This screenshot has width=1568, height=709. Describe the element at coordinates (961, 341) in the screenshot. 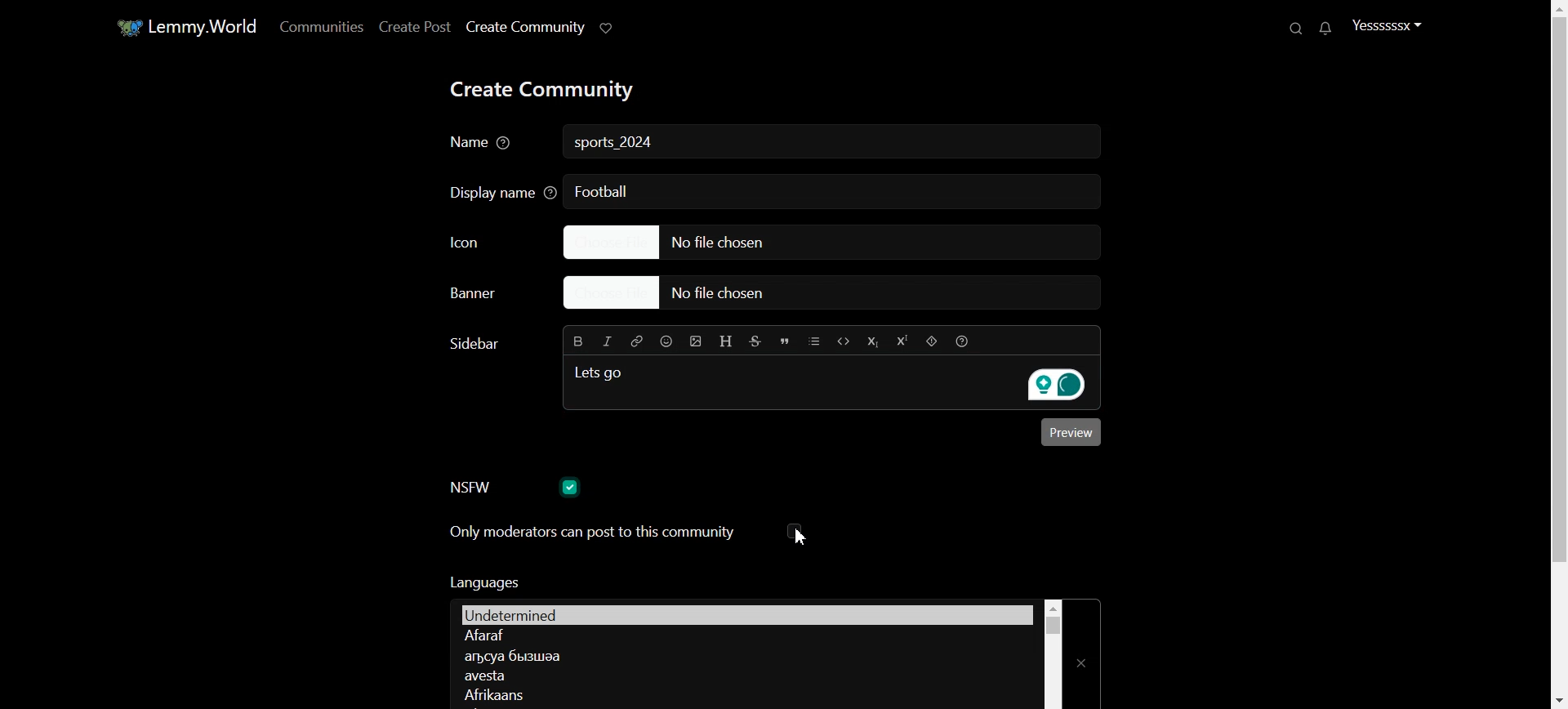

I see `Formatting Help` at that location.